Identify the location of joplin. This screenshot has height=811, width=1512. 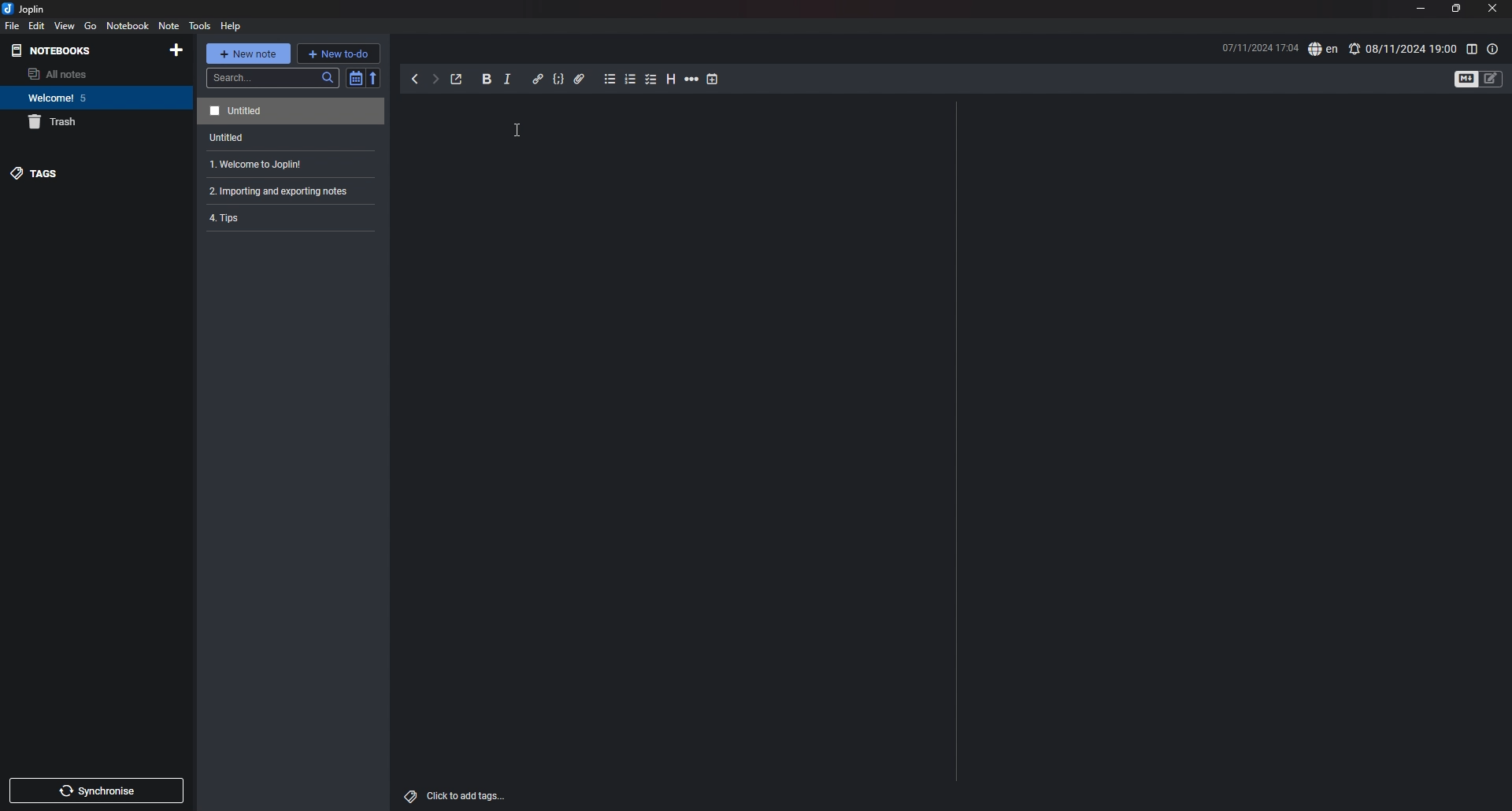
(31, 9).